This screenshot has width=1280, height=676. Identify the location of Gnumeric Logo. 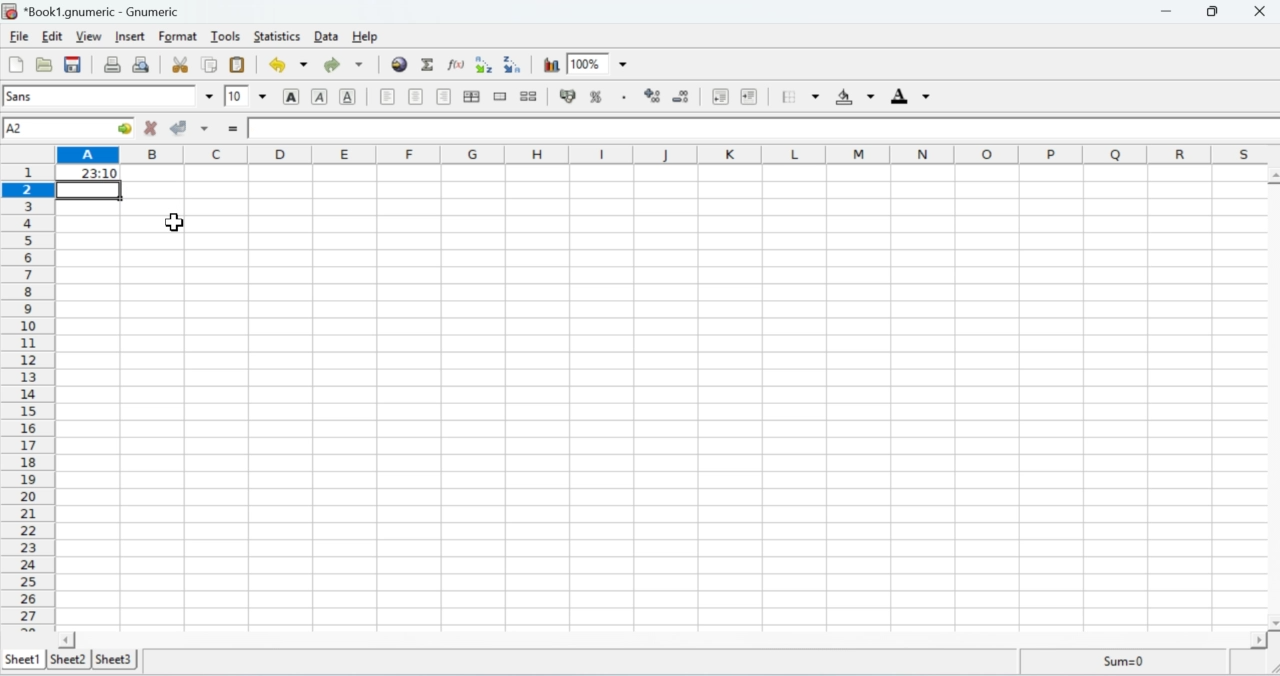
(12, 11).